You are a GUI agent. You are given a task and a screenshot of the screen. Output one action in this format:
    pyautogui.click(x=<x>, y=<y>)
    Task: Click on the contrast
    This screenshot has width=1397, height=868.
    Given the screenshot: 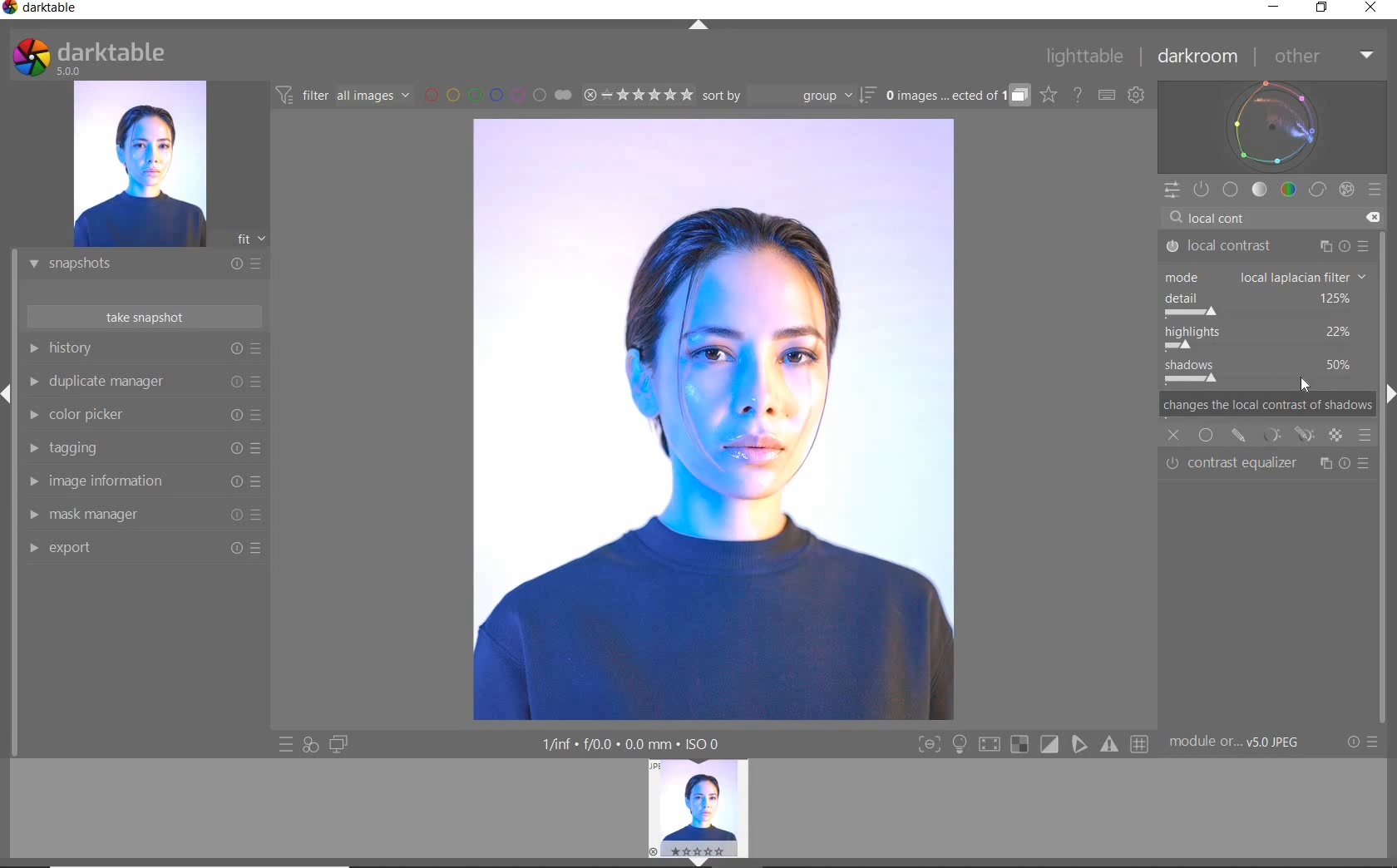 What is the action you would take?
    pyautogui.click(x=1266, y=374)
    